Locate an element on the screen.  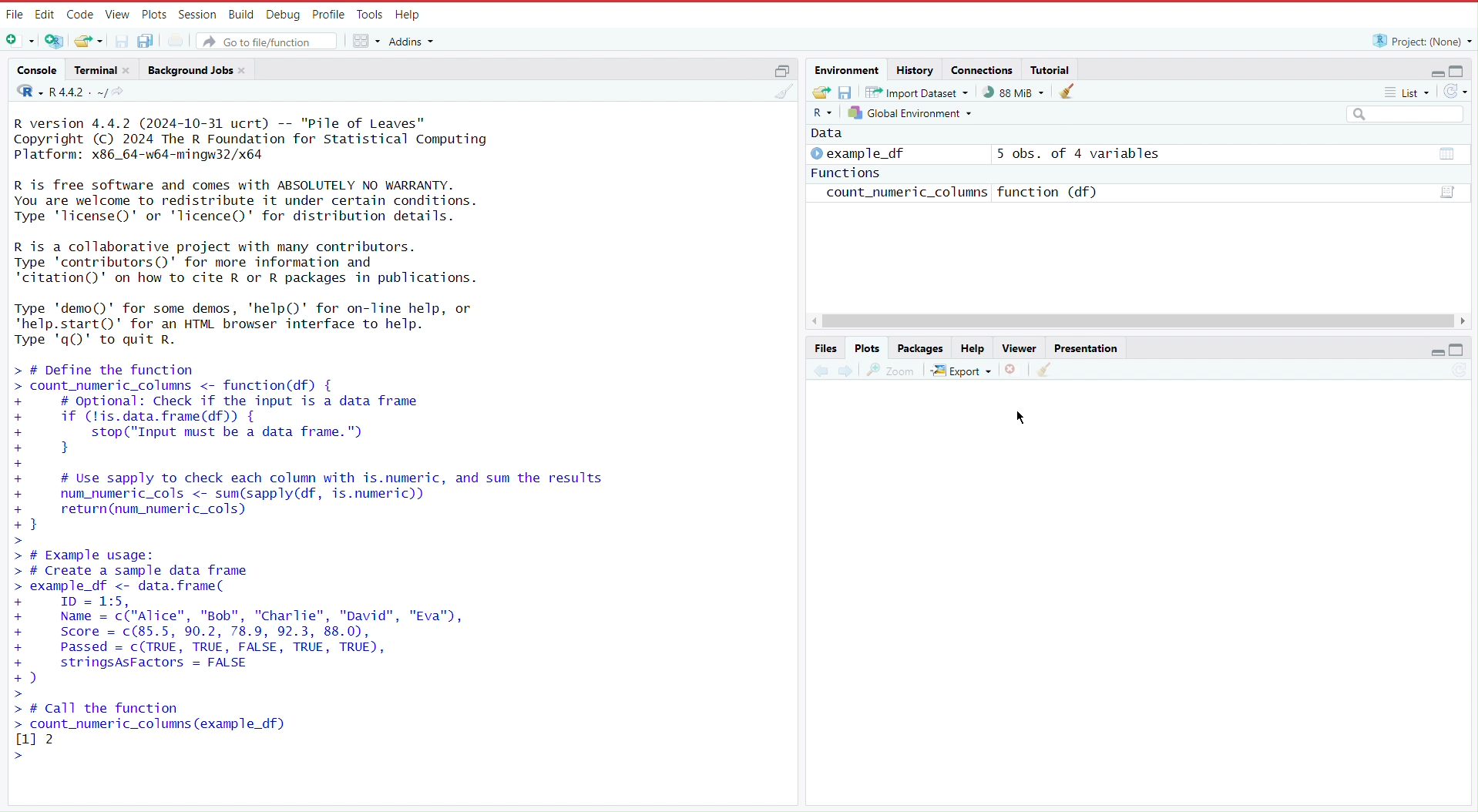
Files is located at coordinates (827, 347).